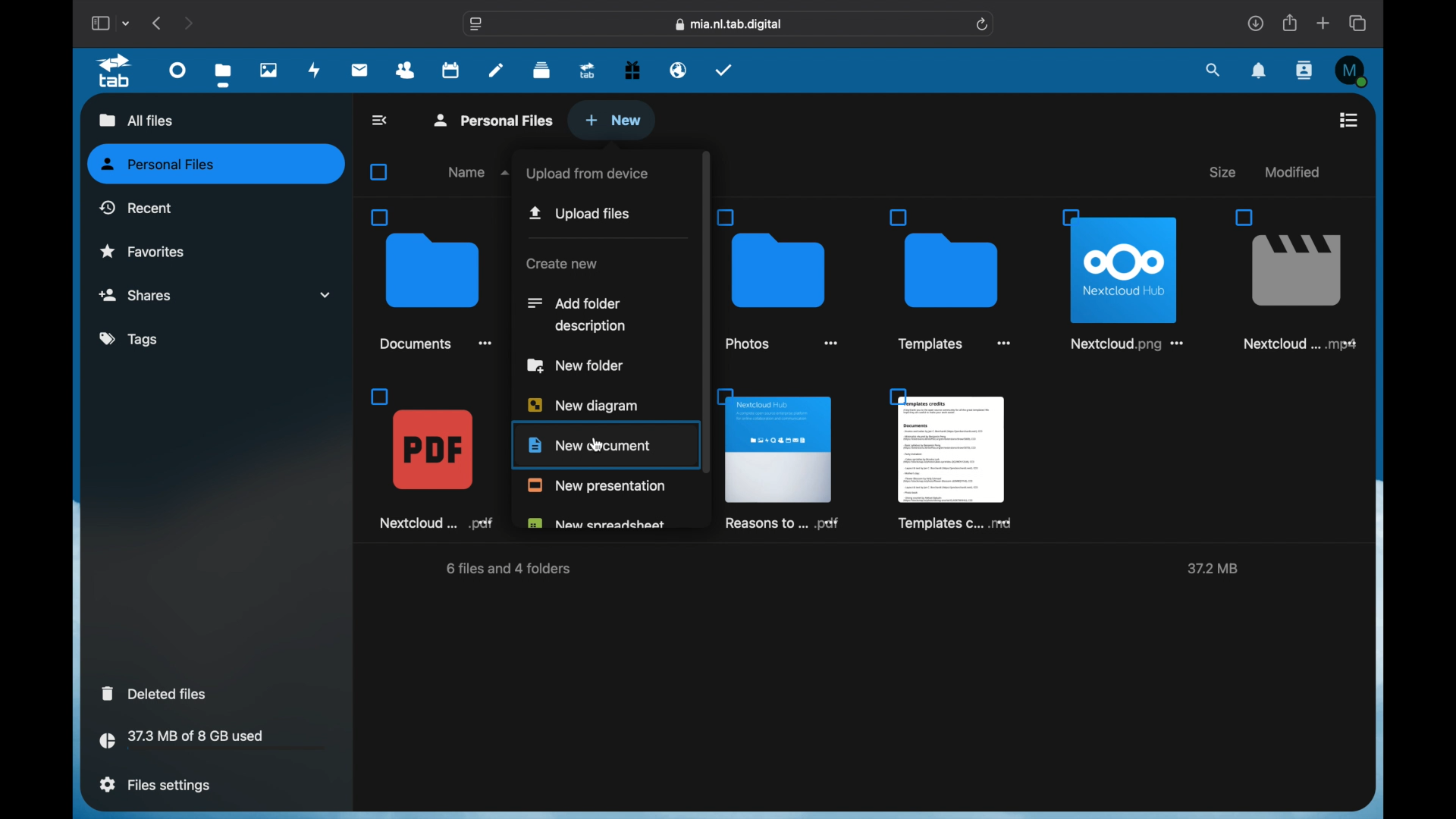  I want to click on upgrade, so click(588, 70).